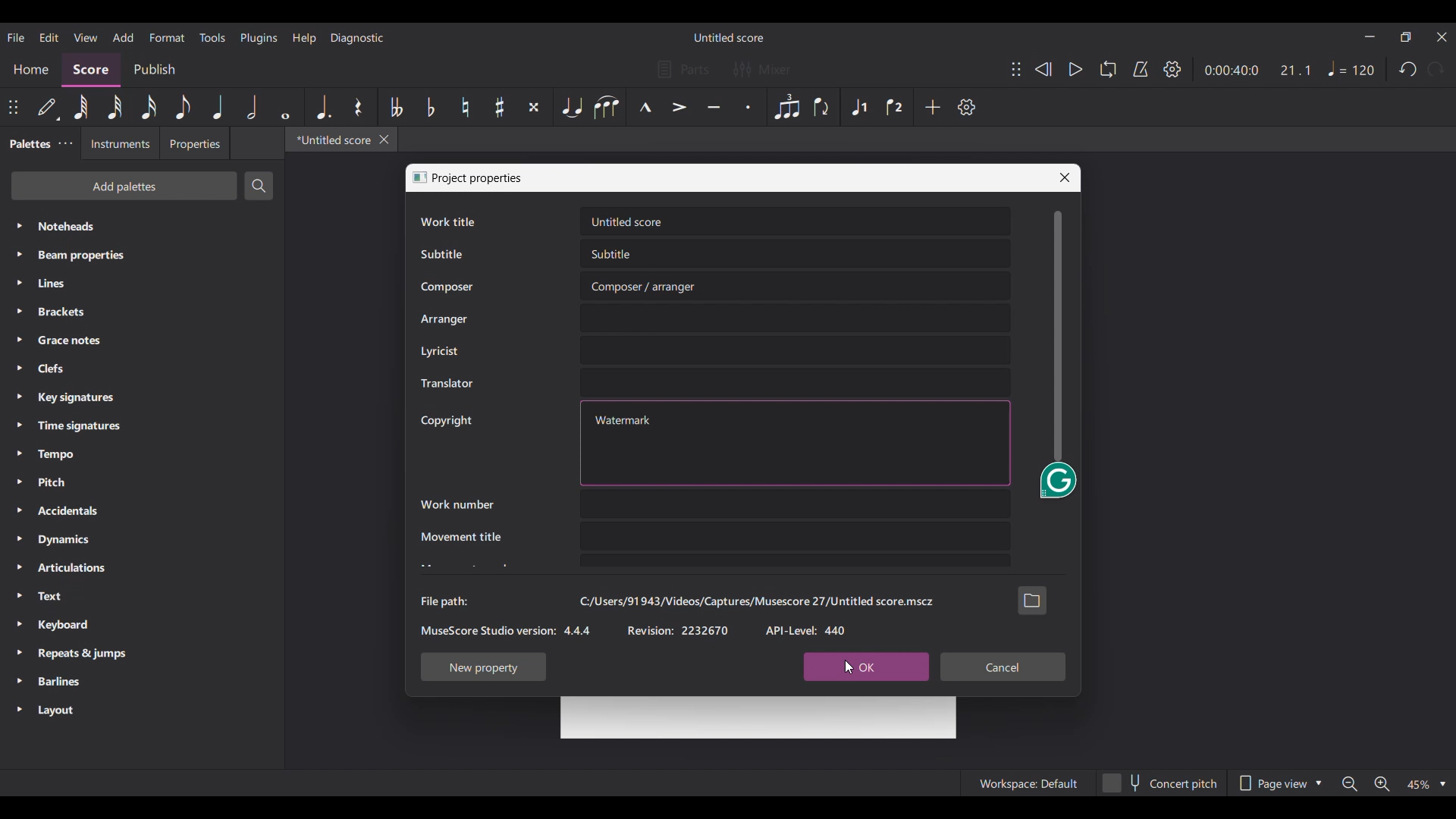 This screenshot has width=1456, height=819. Describe the element at coordinates (1349, 784) in the screenshot. I see `Zoom out` at that location.